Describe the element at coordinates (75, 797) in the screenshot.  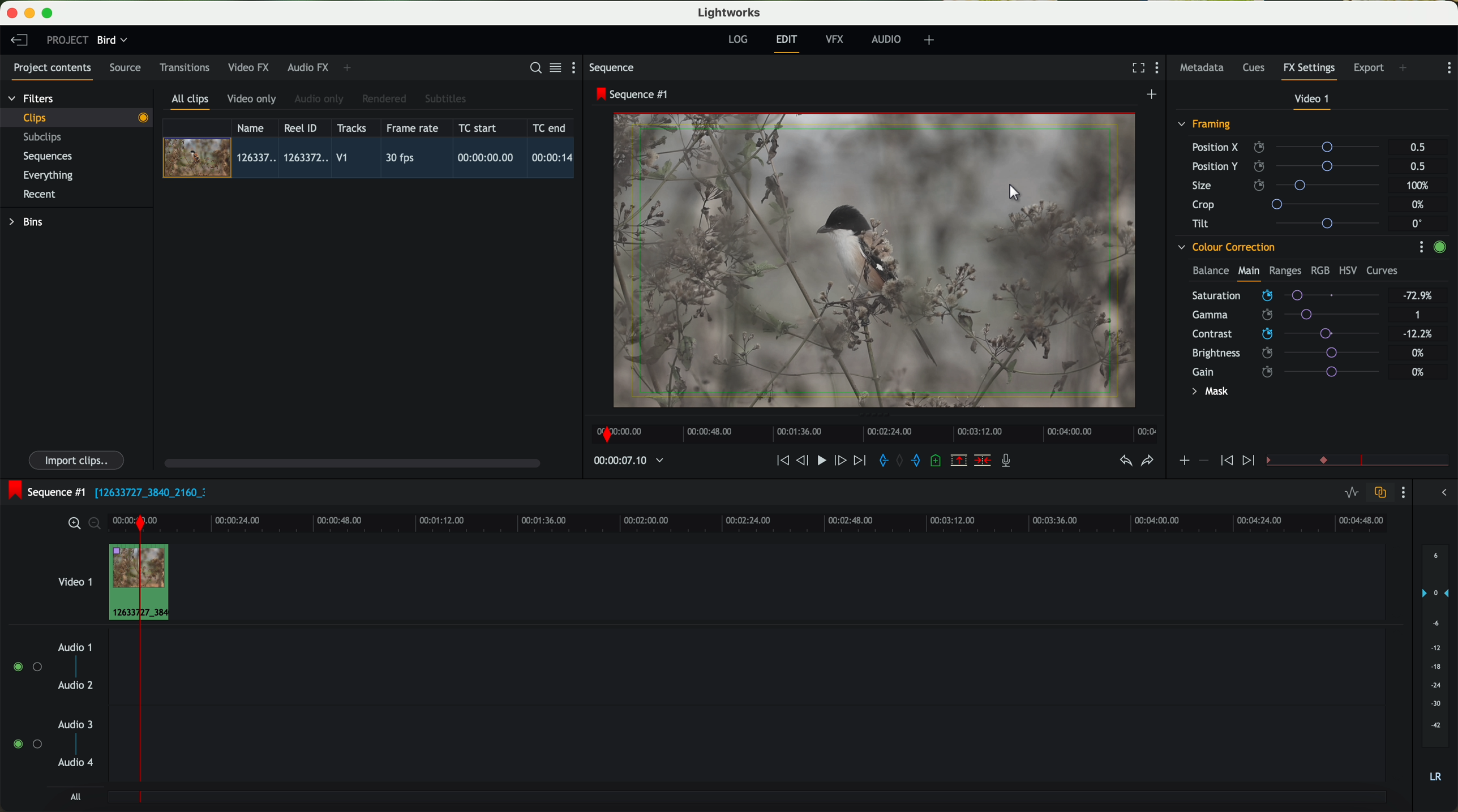
I see `all` at that location.